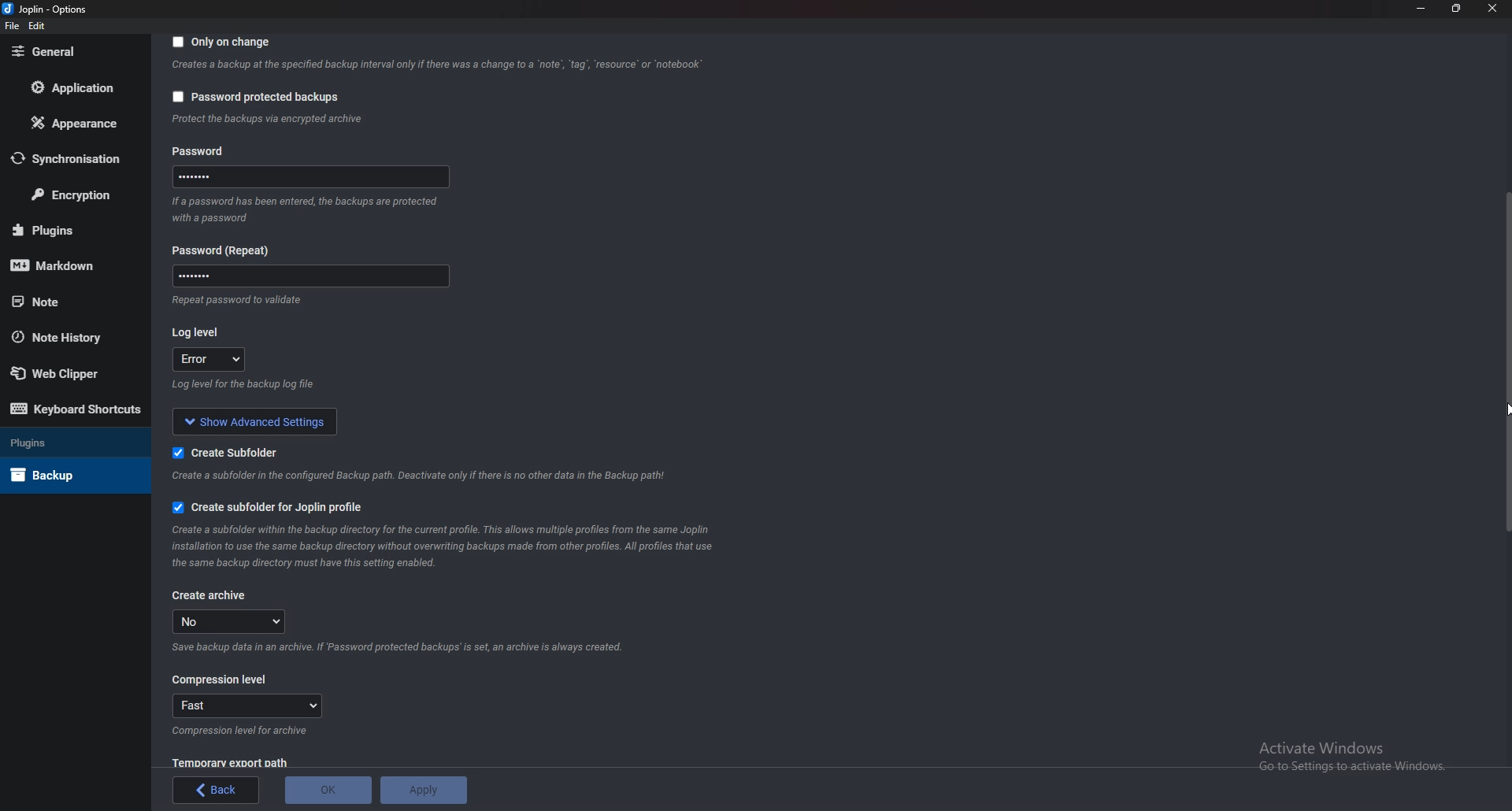 Image resolution: width=1512 pixels, height=811 pixels. What do you see at coordinates (11, 27) in the screenshot?
I see `file` at bounding box center [11, 27].